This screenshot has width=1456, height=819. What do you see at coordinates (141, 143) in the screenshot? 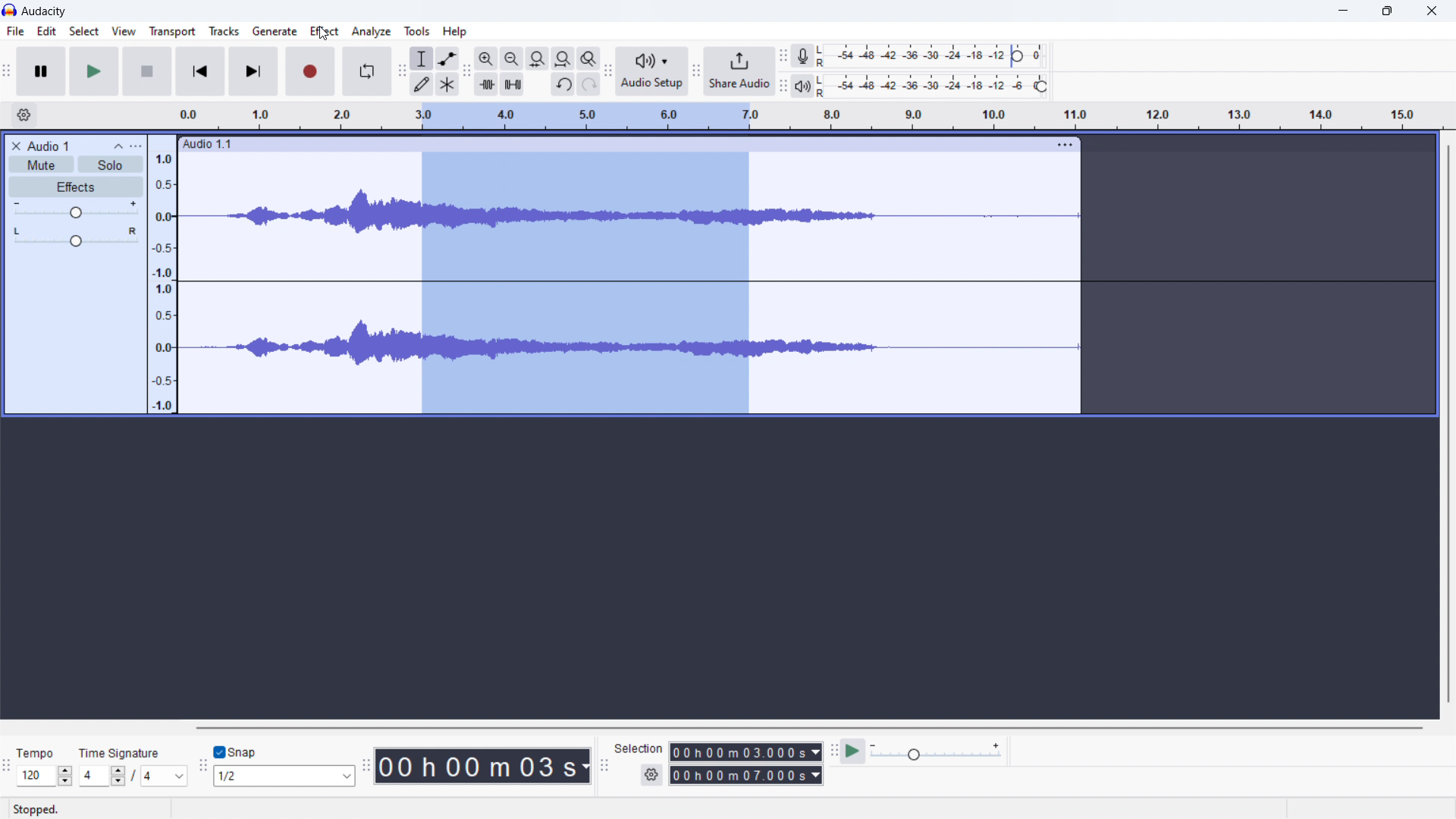
I see `more options` at bounding box center [141, 143].